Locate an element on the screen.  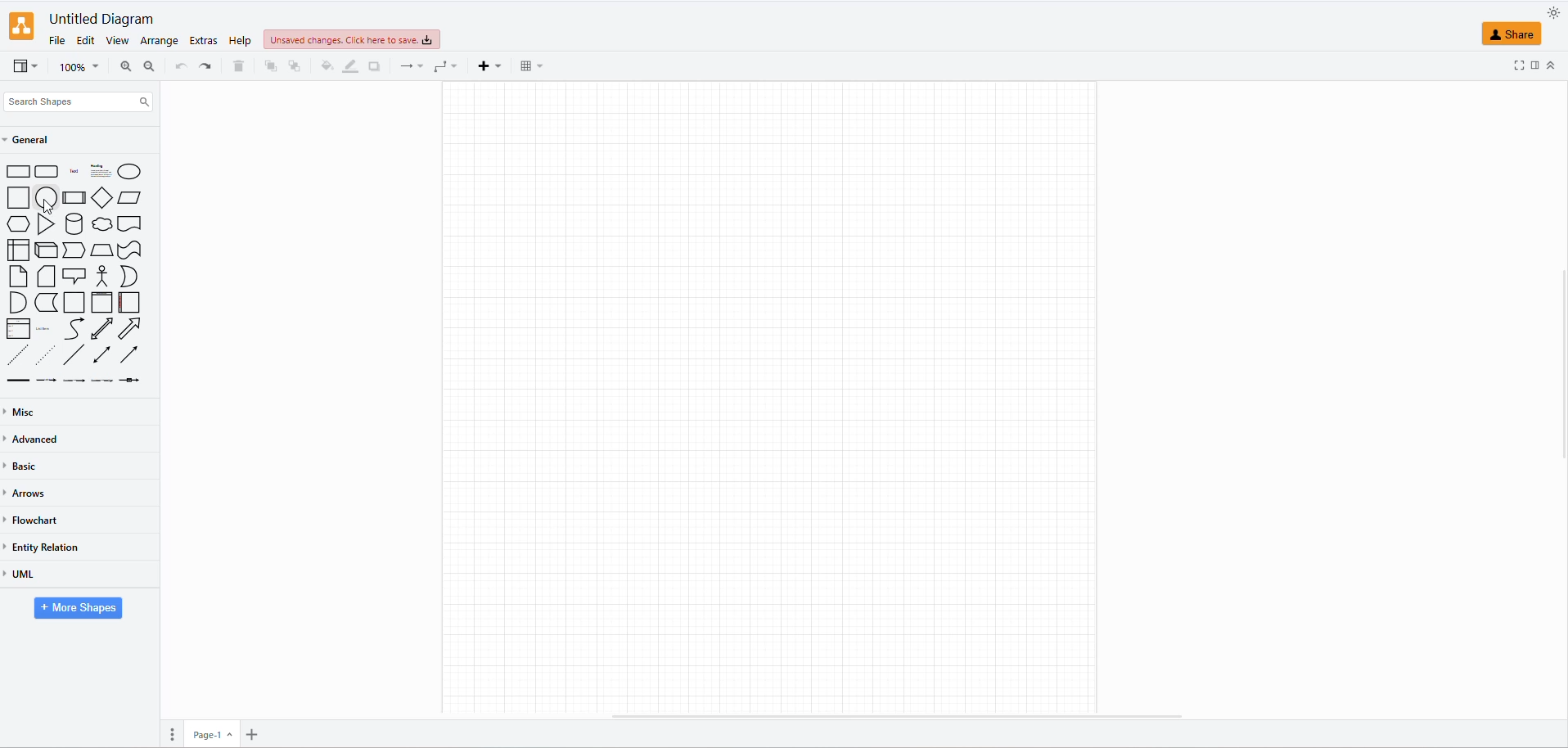
INSERT is located at coordinates (487, 67).